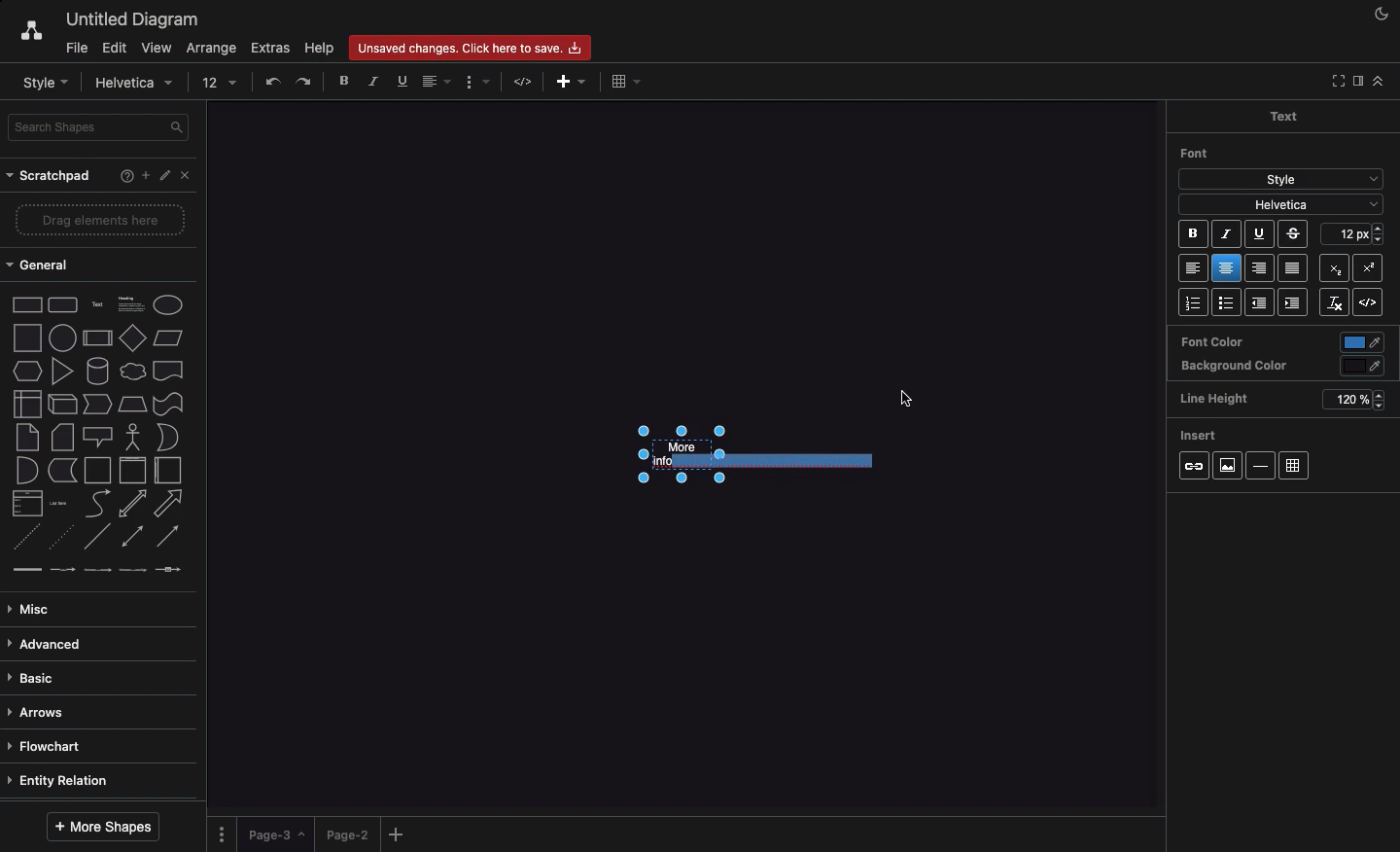  Describe the element at coordinates (100, 127) in the screenshot. I see `Search shapes` at that location.